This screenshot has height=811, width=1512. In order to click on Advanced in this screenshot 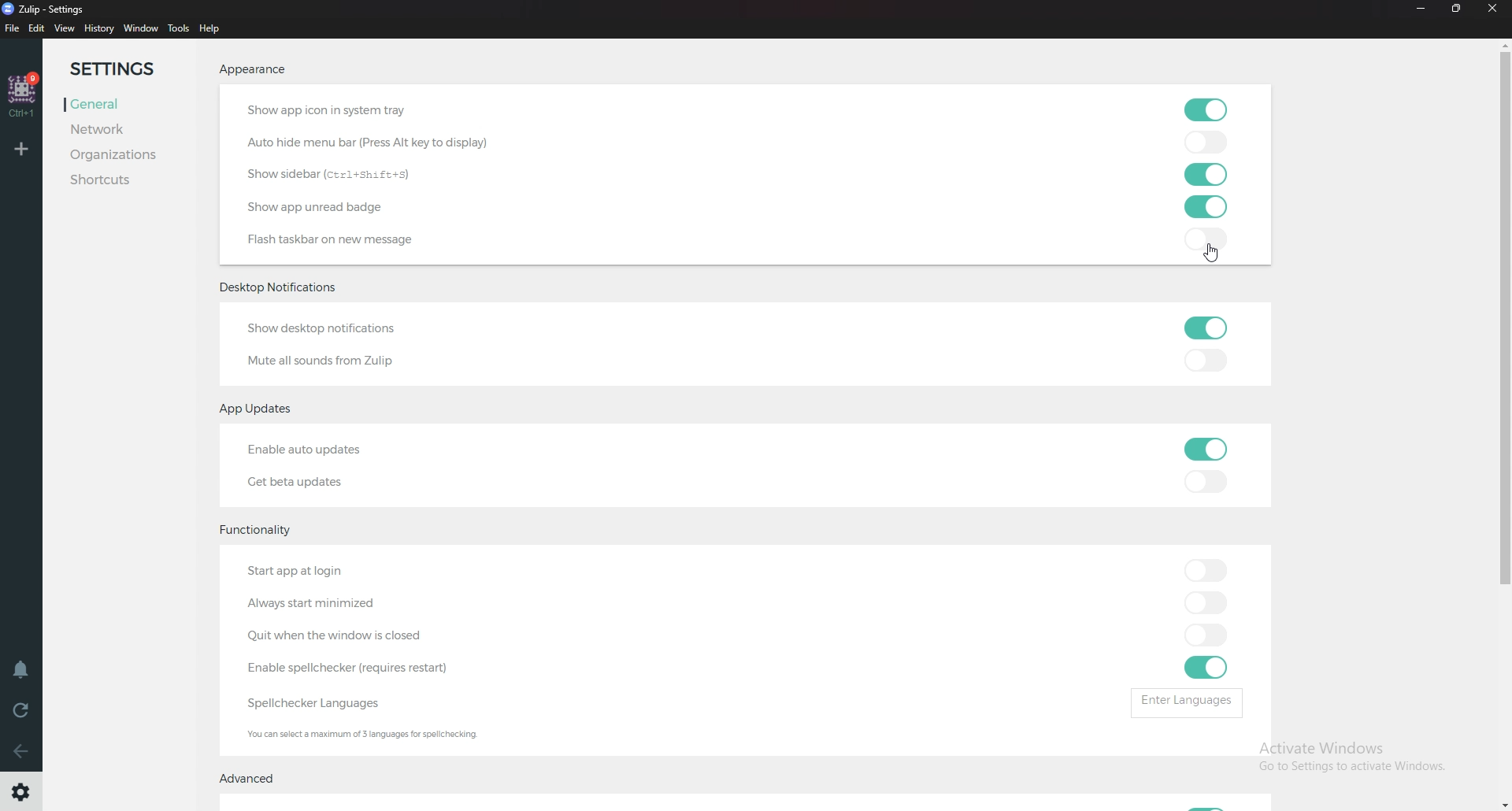, I will do `click(252, 779)`.